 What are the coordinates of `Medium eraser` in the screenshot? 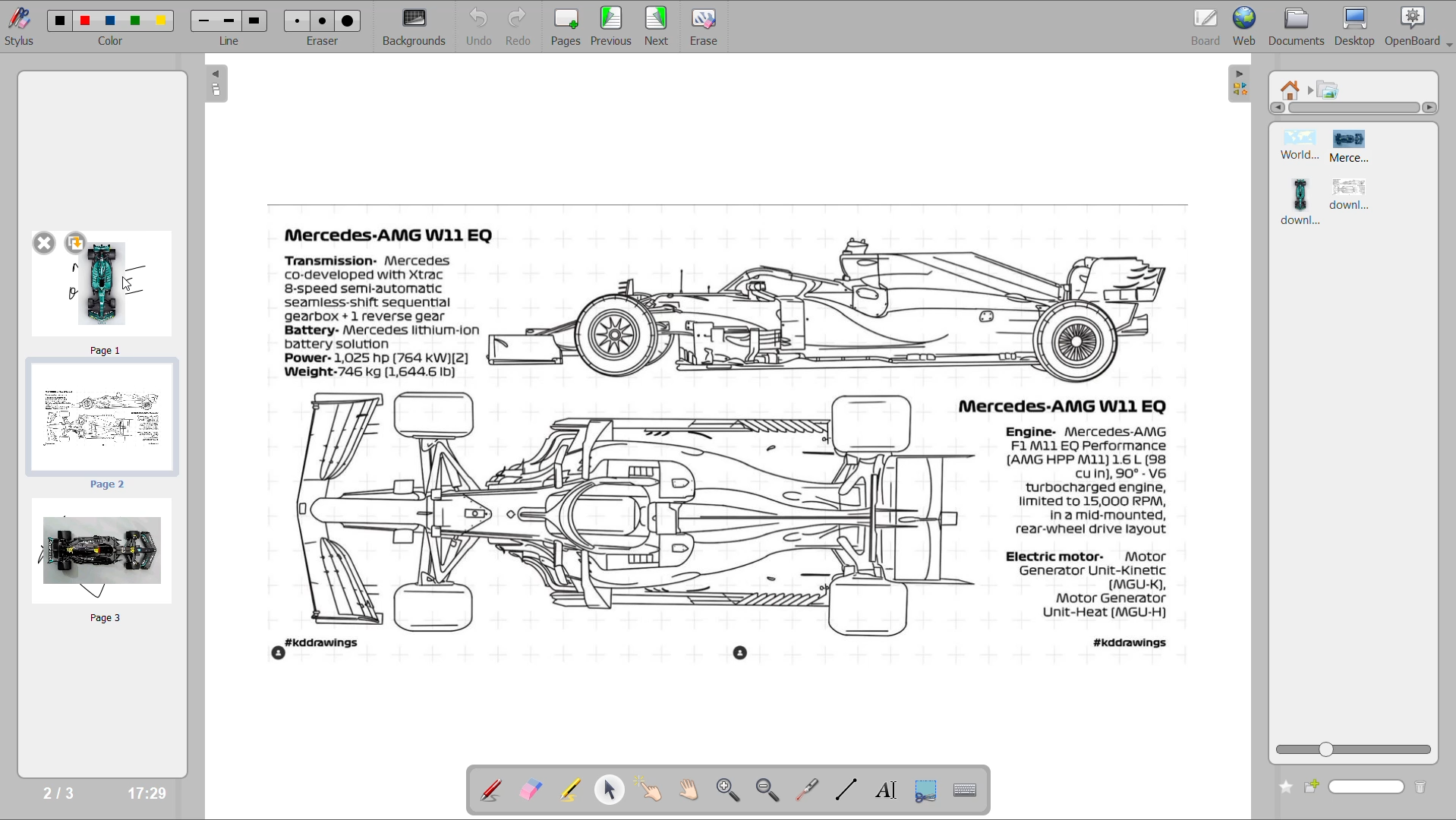 It's located at (320, 18).